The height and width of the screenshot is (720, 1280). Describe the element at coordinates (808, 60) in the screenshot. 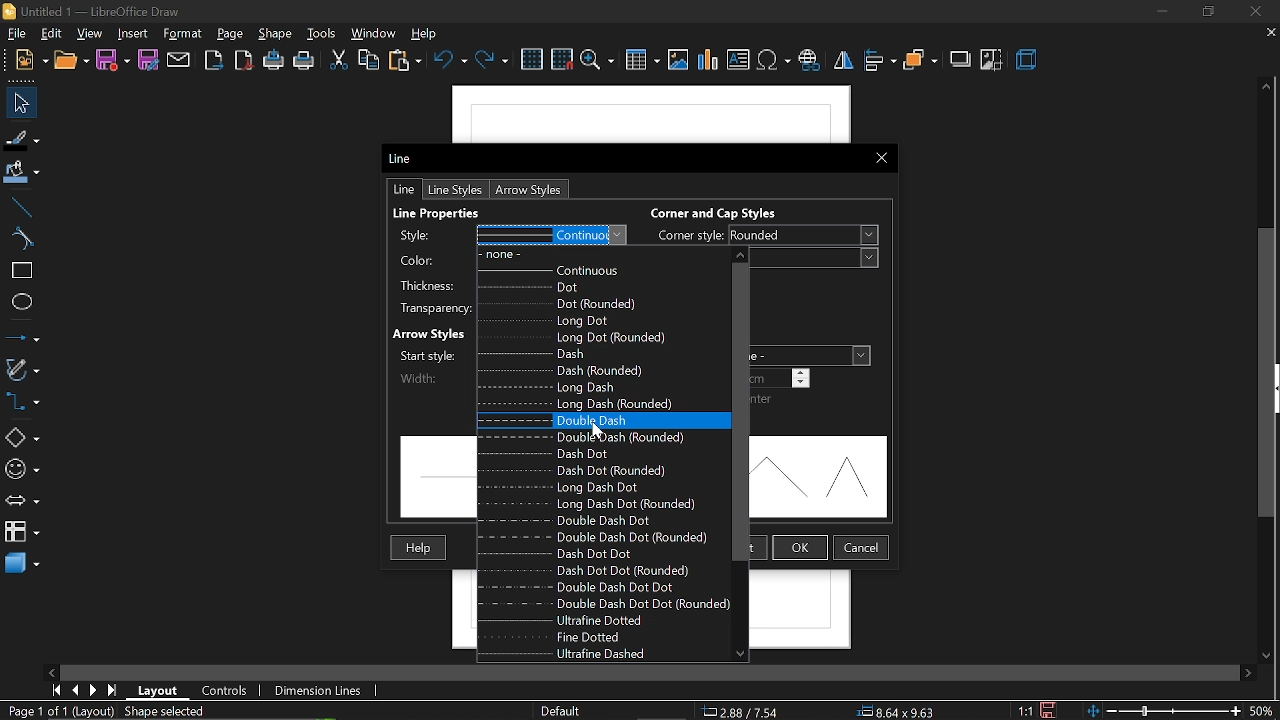

I see `insert hyperlink` at that location.